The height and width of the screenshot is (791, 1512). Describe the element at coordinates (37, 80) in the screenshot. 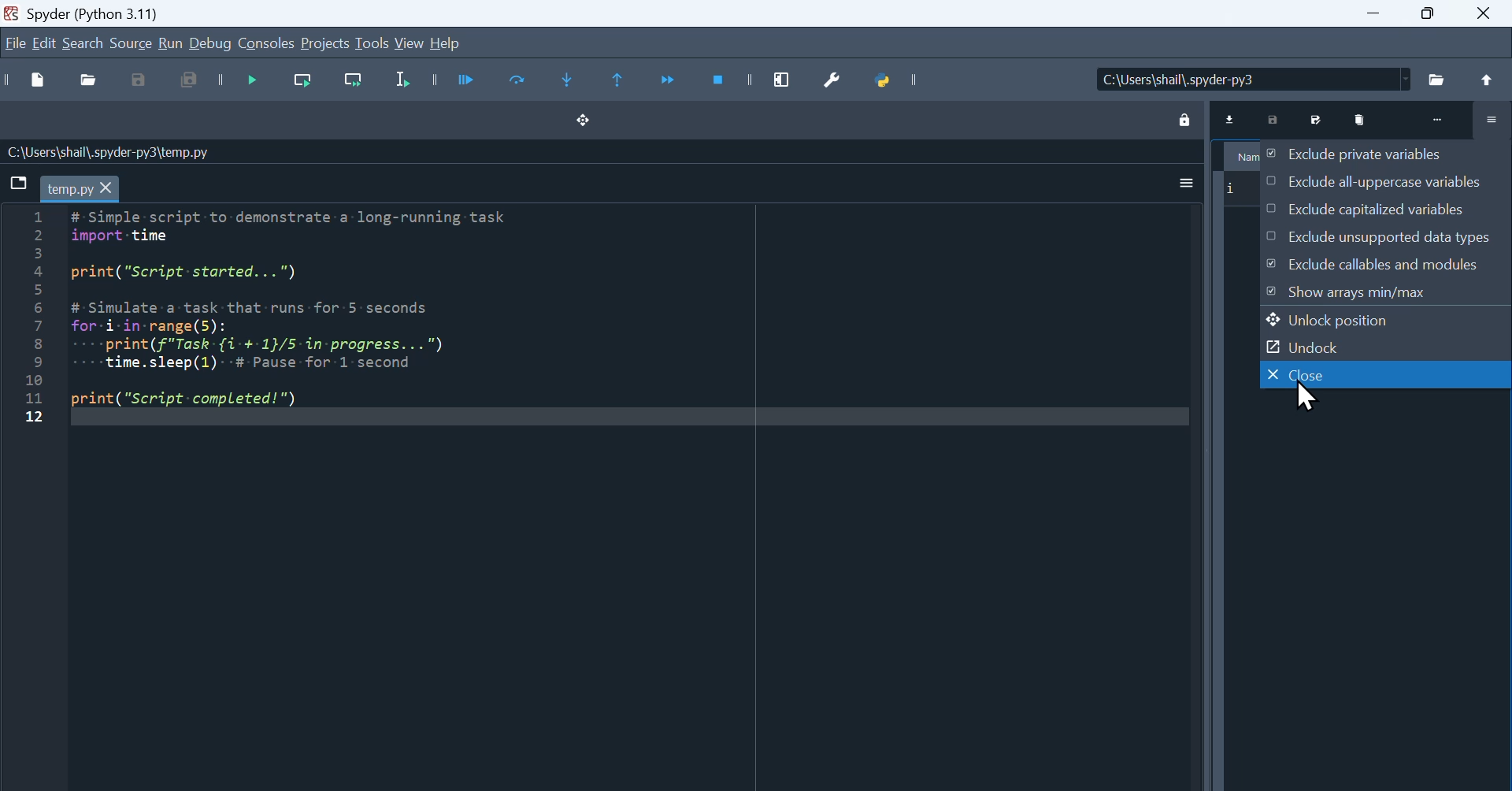

I see `New file` at that location.